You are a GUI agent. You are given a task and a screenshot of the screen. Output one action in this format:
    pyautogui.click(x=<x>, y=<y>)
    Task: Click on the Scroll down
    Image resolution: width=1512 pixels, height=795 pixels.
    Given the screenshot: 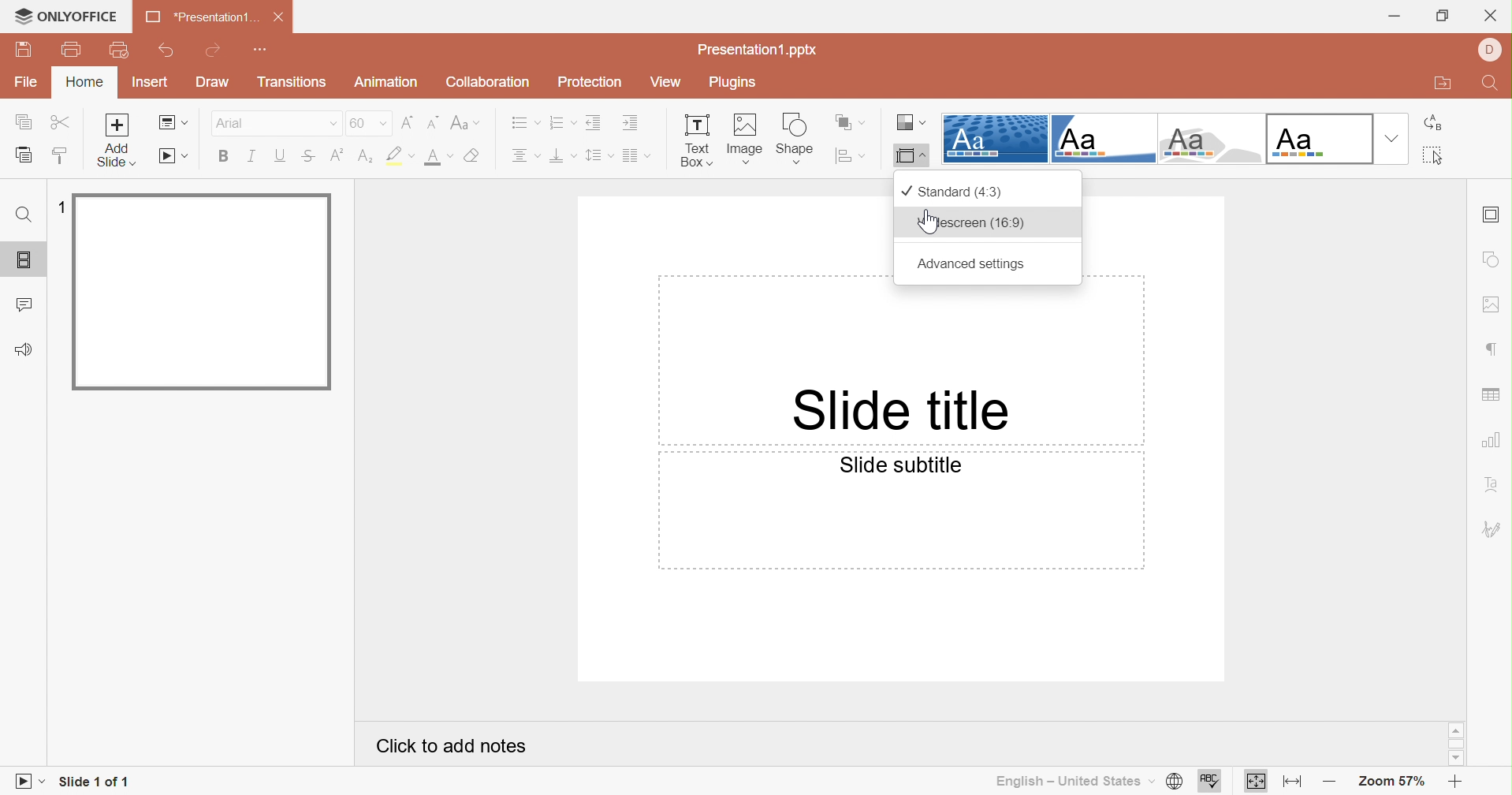 What is the action you would take?
    pyautogui.click(x=1456, y=758)
    